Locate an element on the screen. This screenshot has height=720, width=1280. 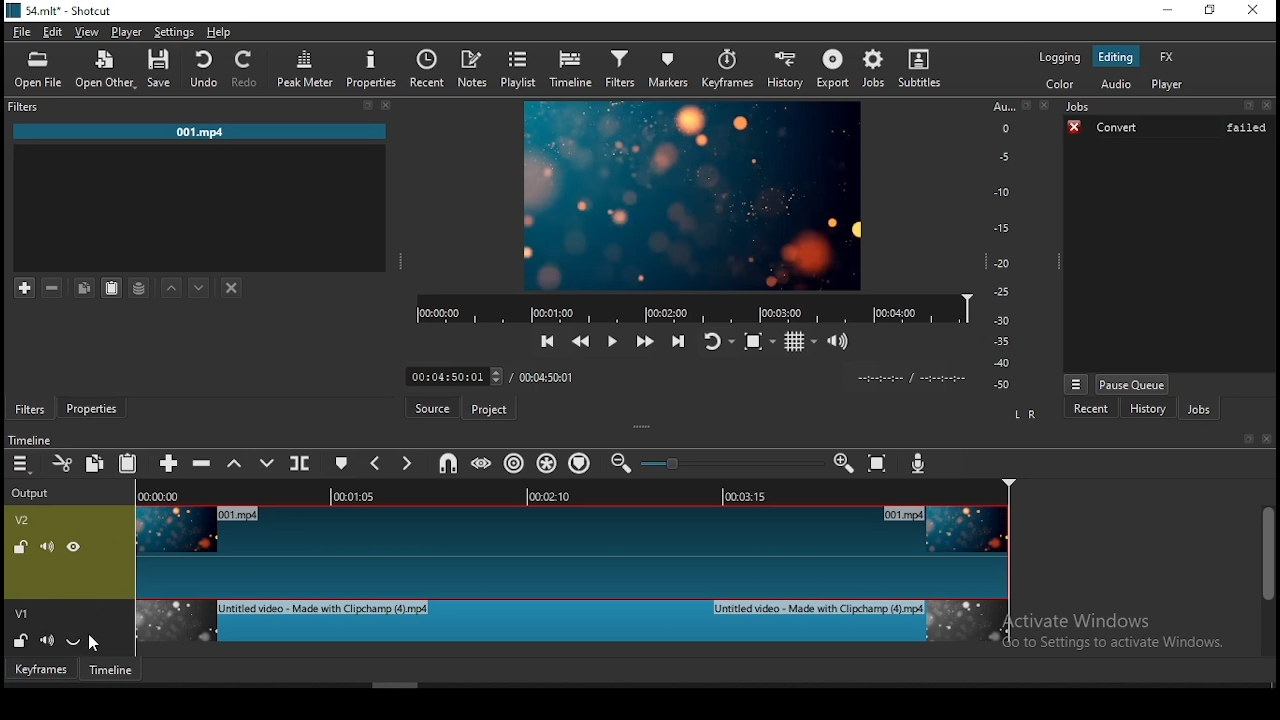
keyframes is located at coordinates (725, 69).